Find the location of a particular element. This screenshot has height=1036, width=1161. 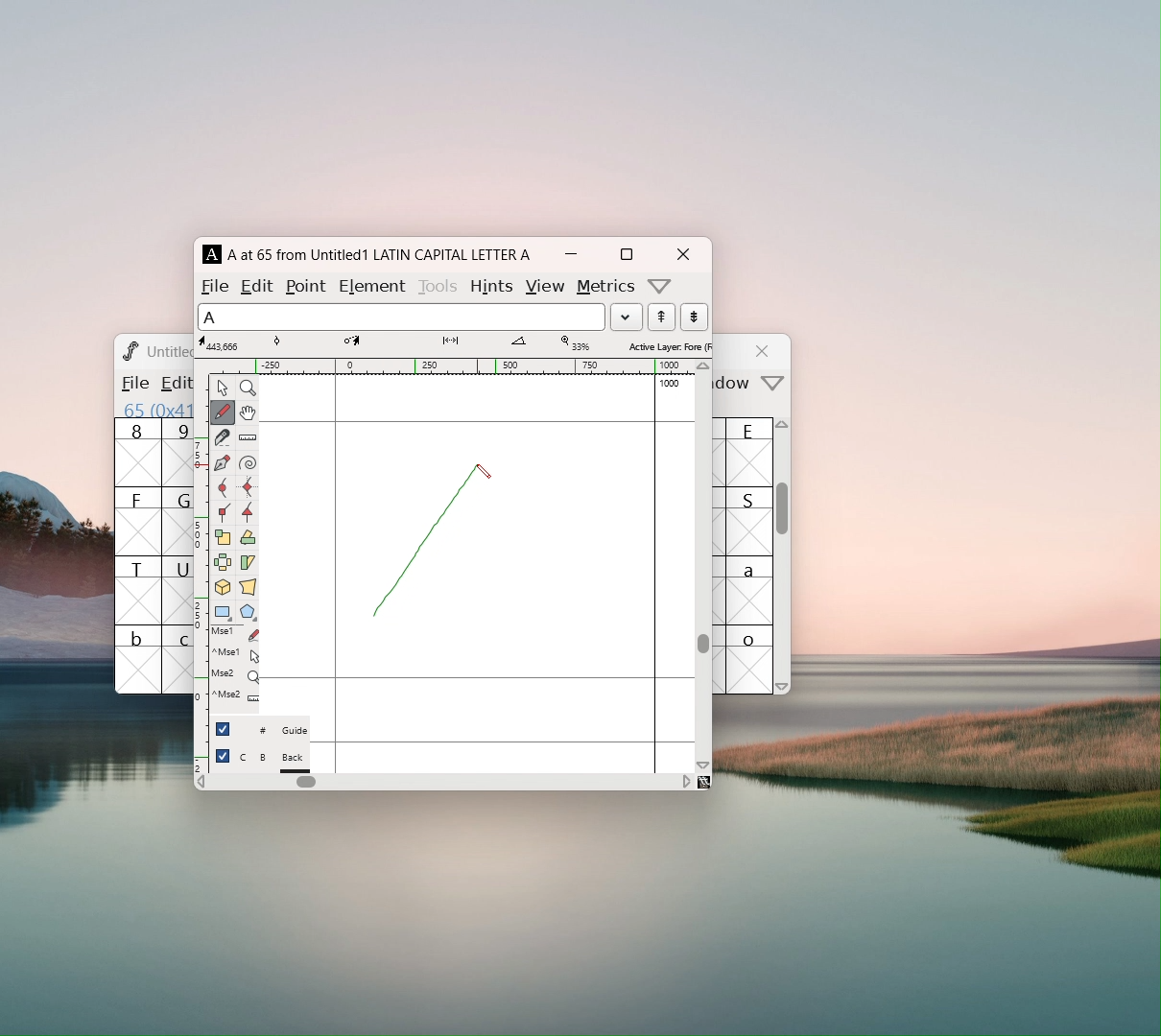

skew selection is located at coordinates (247, 564).